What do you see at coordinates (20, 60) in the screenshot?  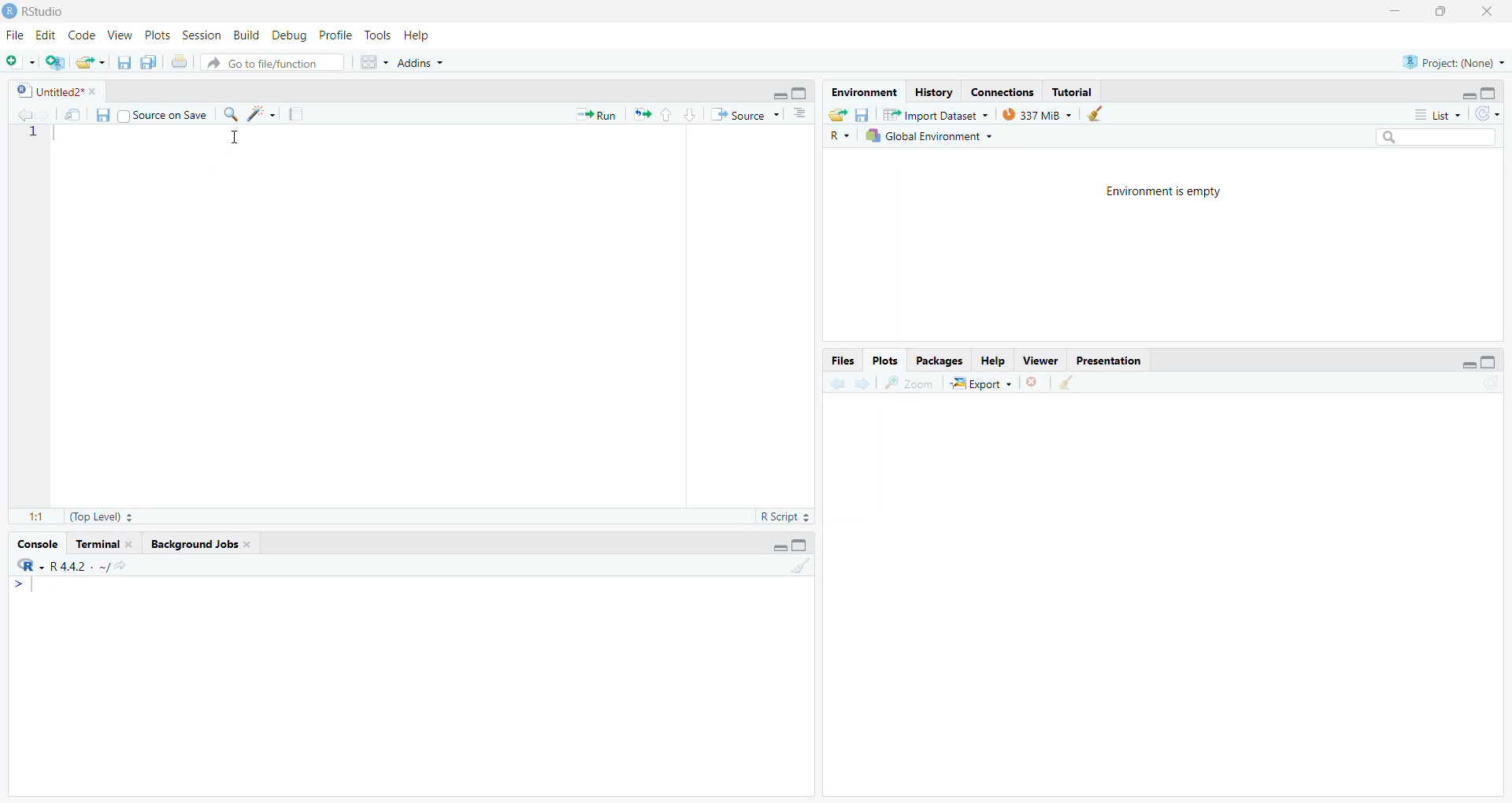 I see `new file` at bounding box center [20, 60].